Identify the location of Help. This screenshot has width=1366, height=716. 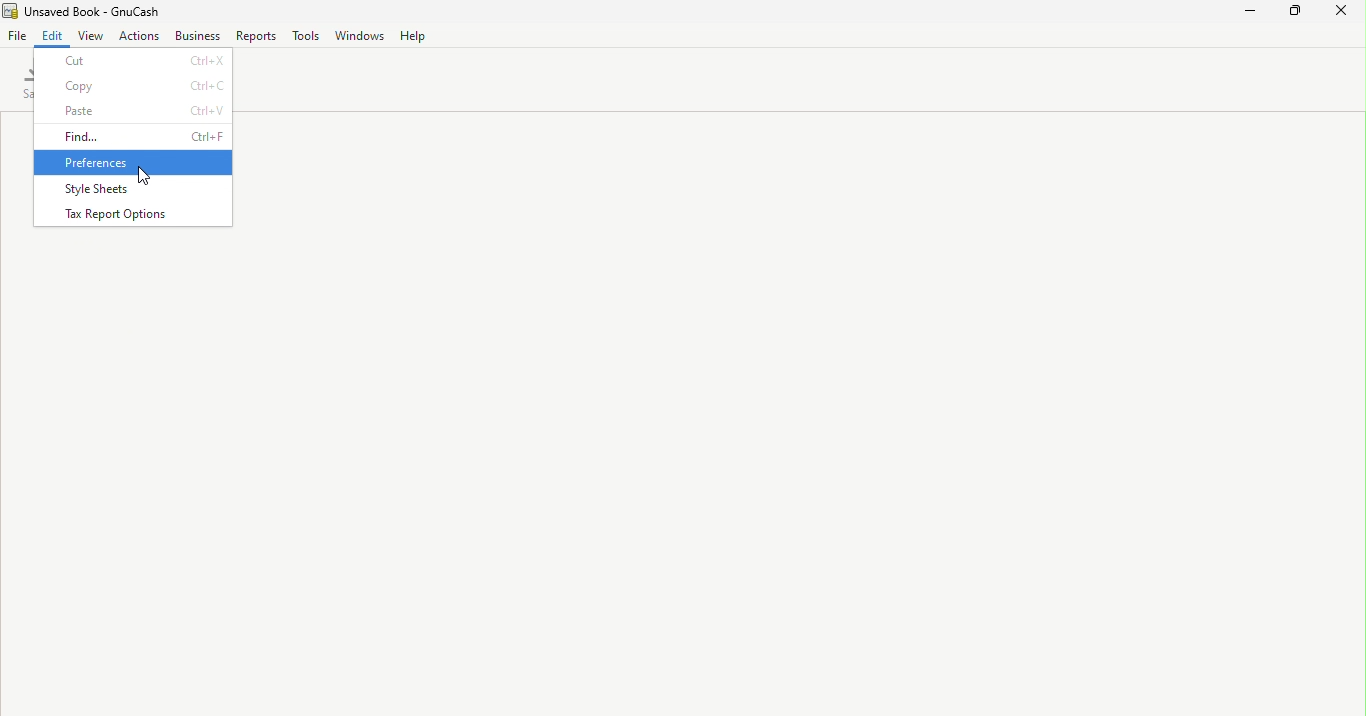
(414, 34).